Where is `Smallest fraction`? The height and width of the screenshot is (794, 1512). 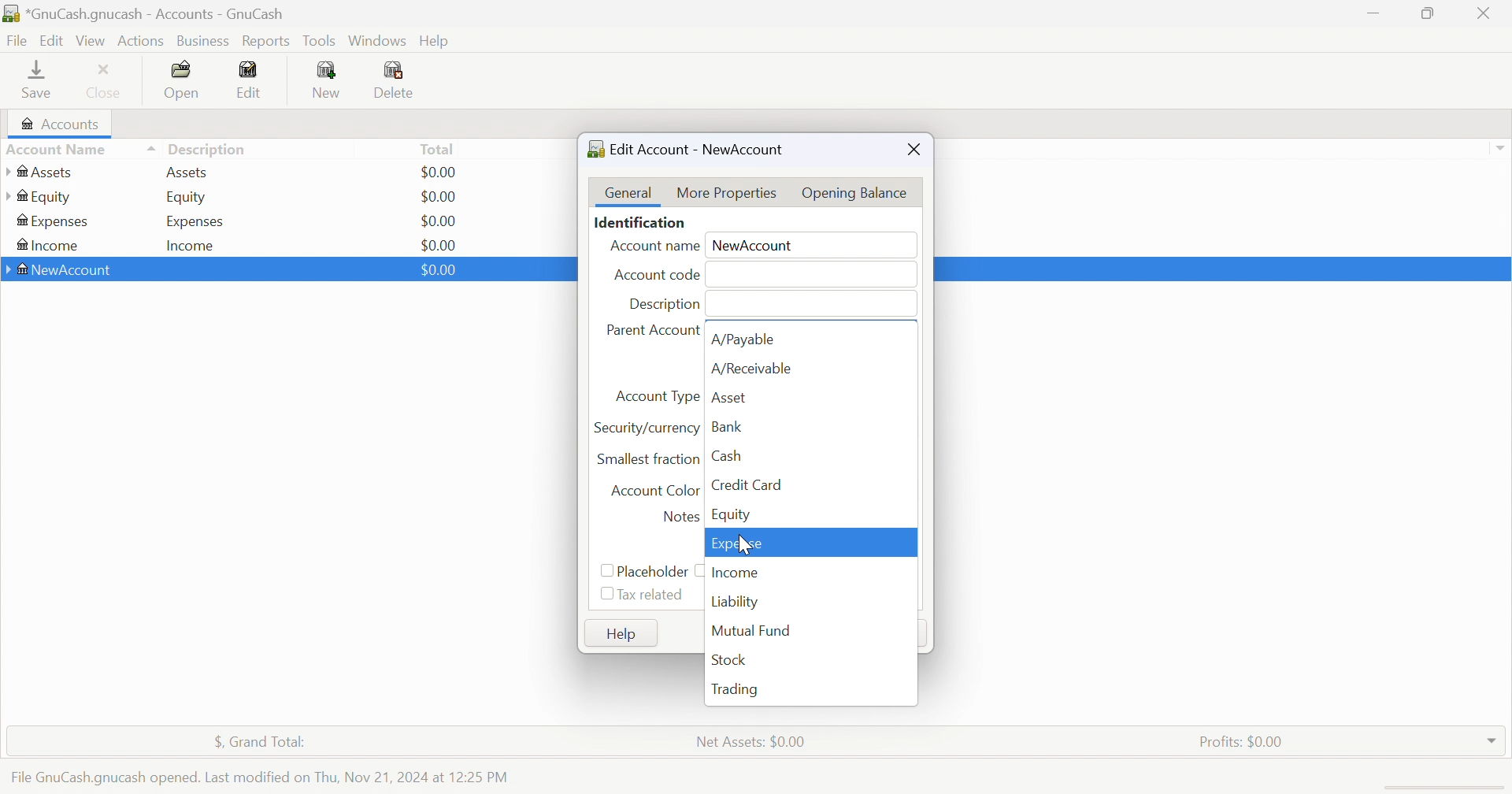 Smallest fraction is located at coordinates (646, 457).